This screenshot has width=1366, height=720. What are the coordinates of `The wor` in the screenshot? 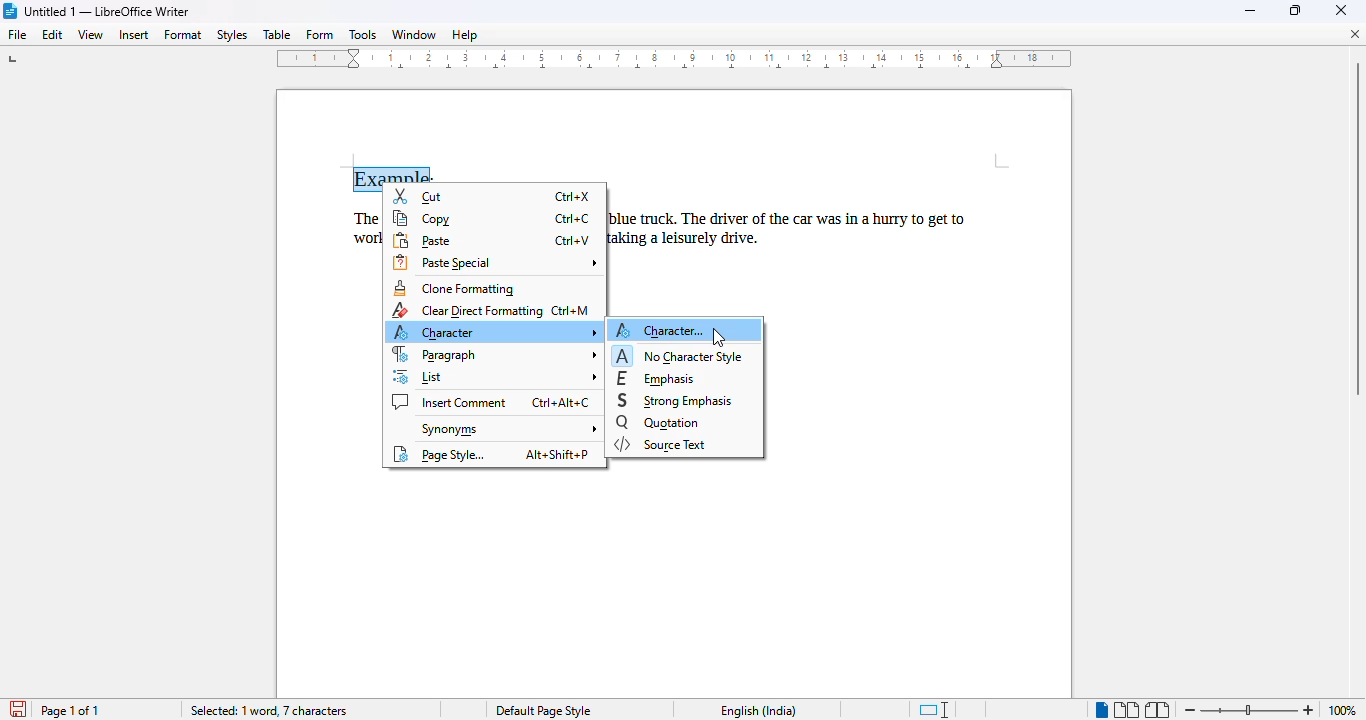 It's located at (356, 227).